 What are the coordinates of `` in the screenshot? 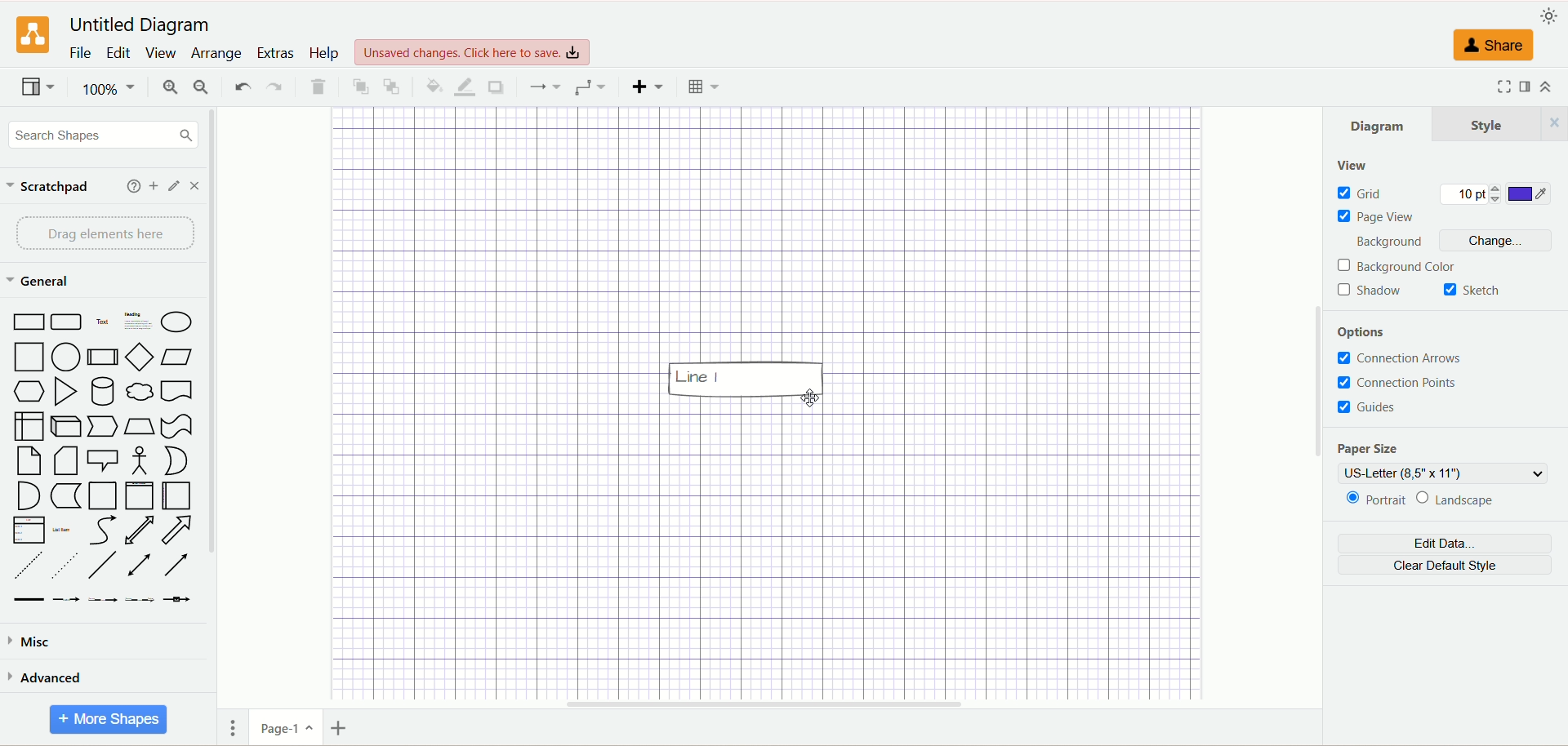 It's located at (814, 398).